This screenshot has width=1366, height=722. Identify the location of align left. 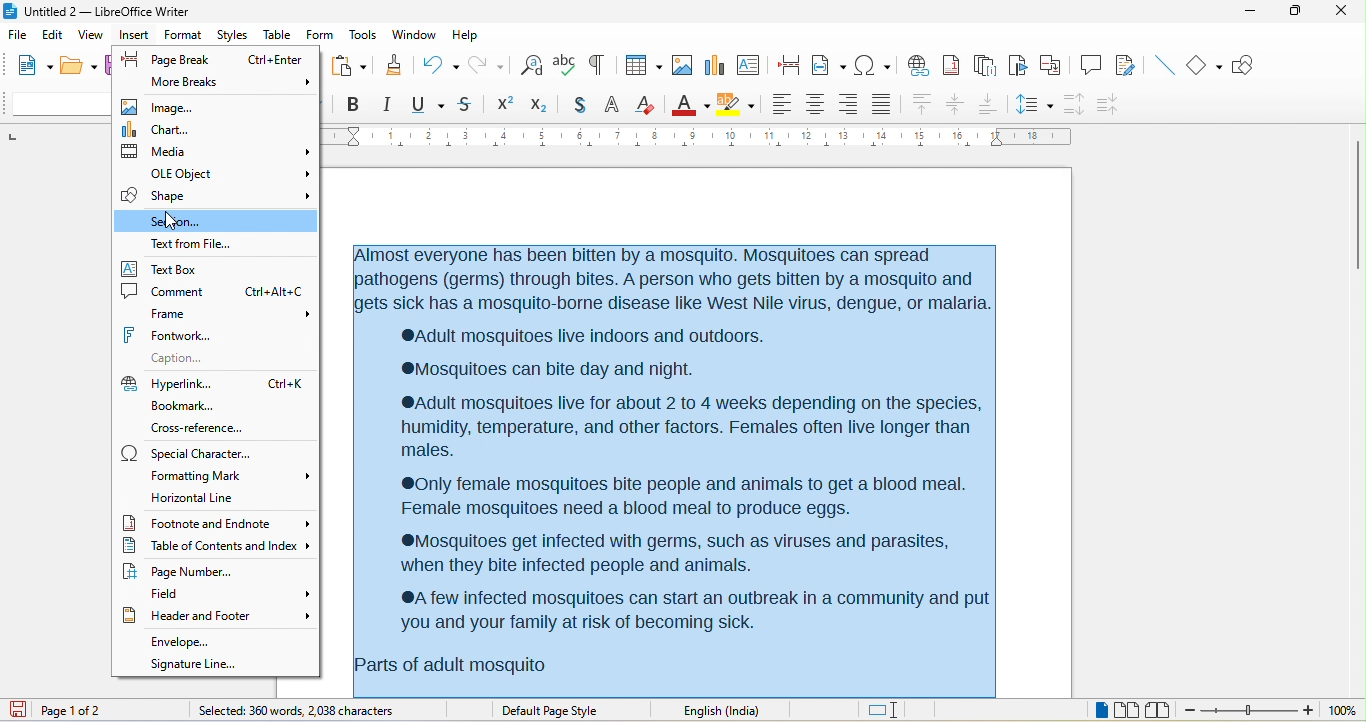
(781, 104).